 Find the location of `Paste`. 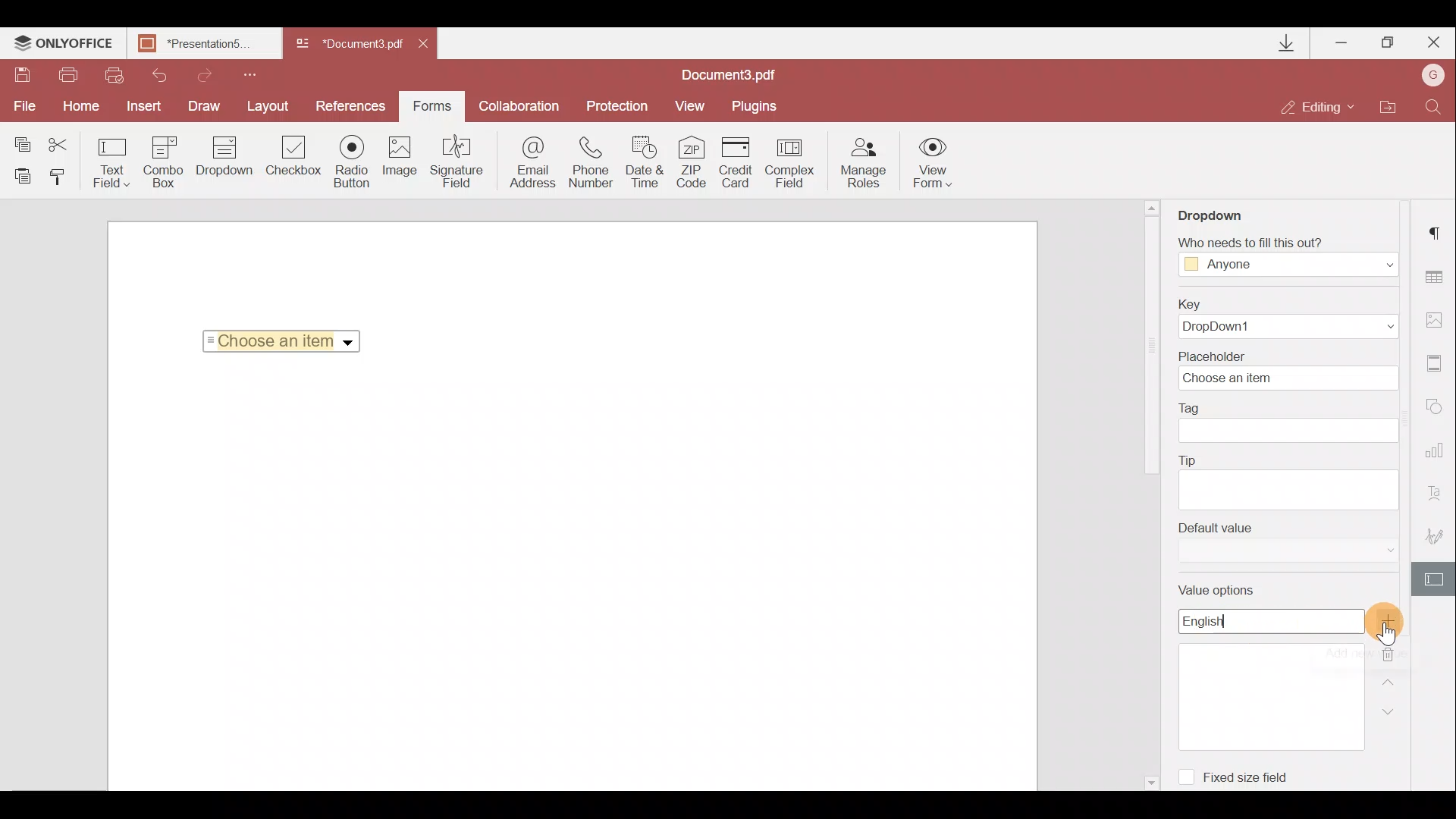

Paste is located at coordinates (23, 175).